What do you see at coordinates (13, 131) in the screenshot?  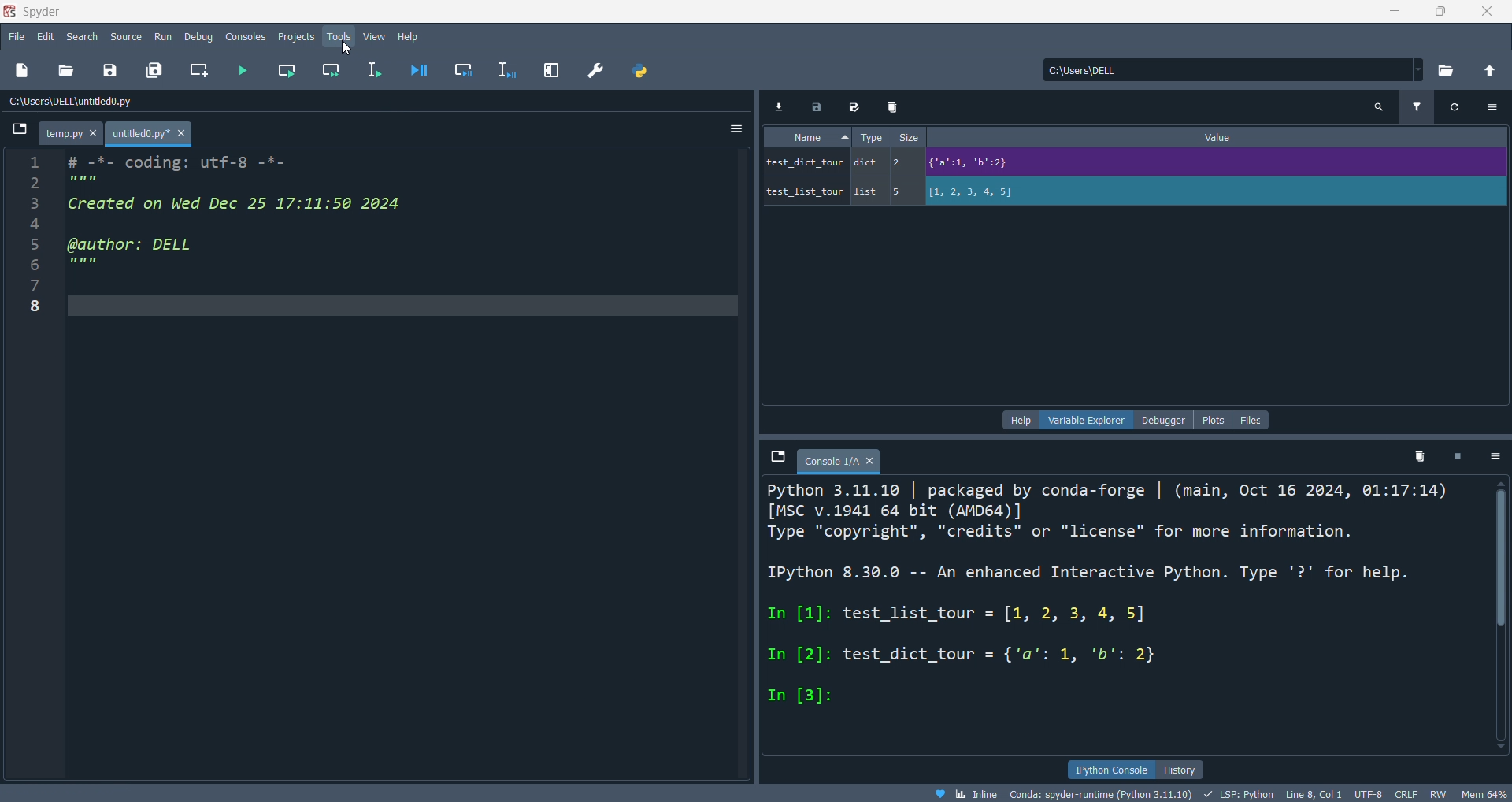 I see `browse tabs` at bounding box center [13, 131].